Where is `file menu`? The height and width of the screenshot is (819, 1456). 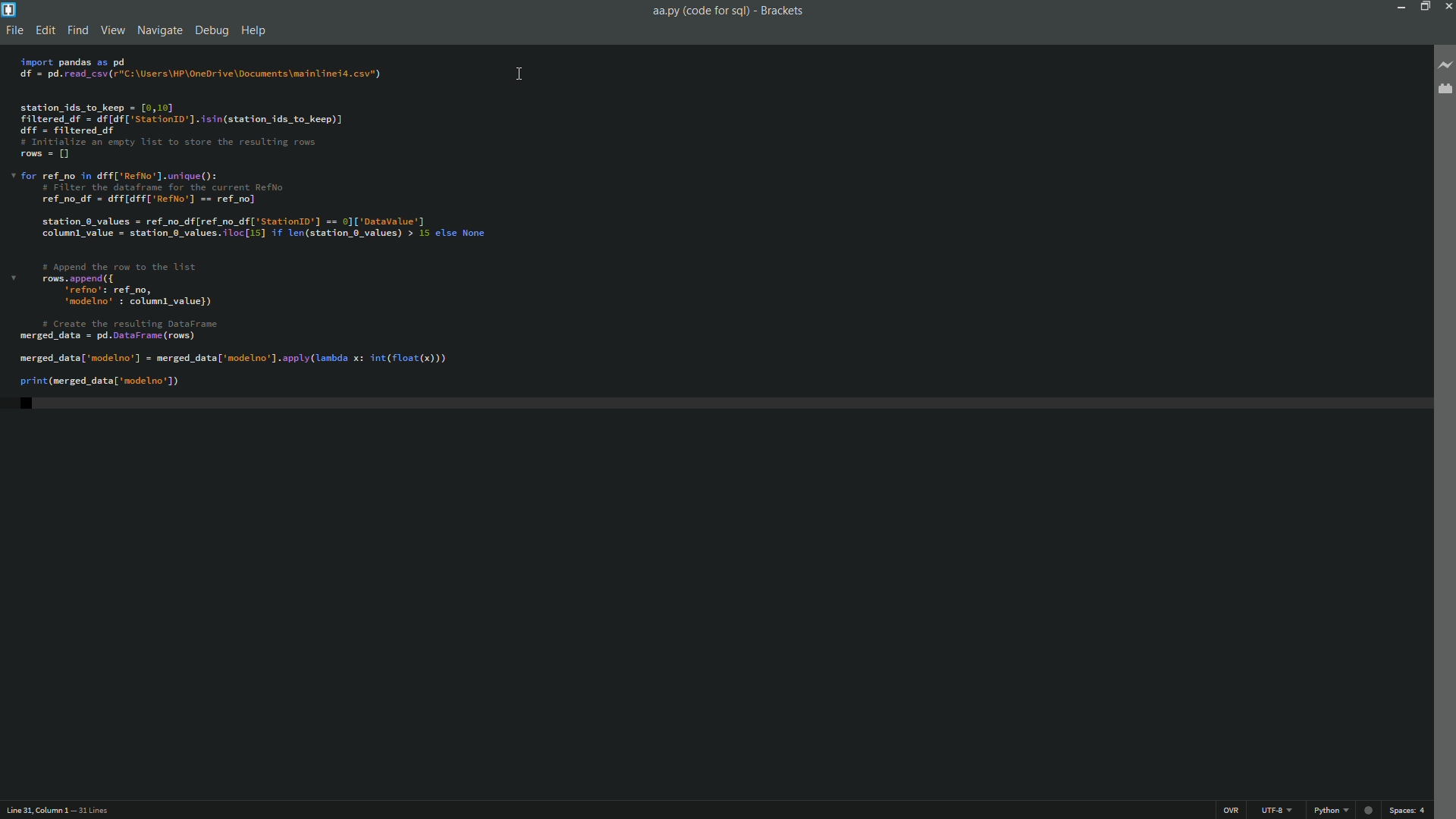 file menu is located at coordinates (12, 30).